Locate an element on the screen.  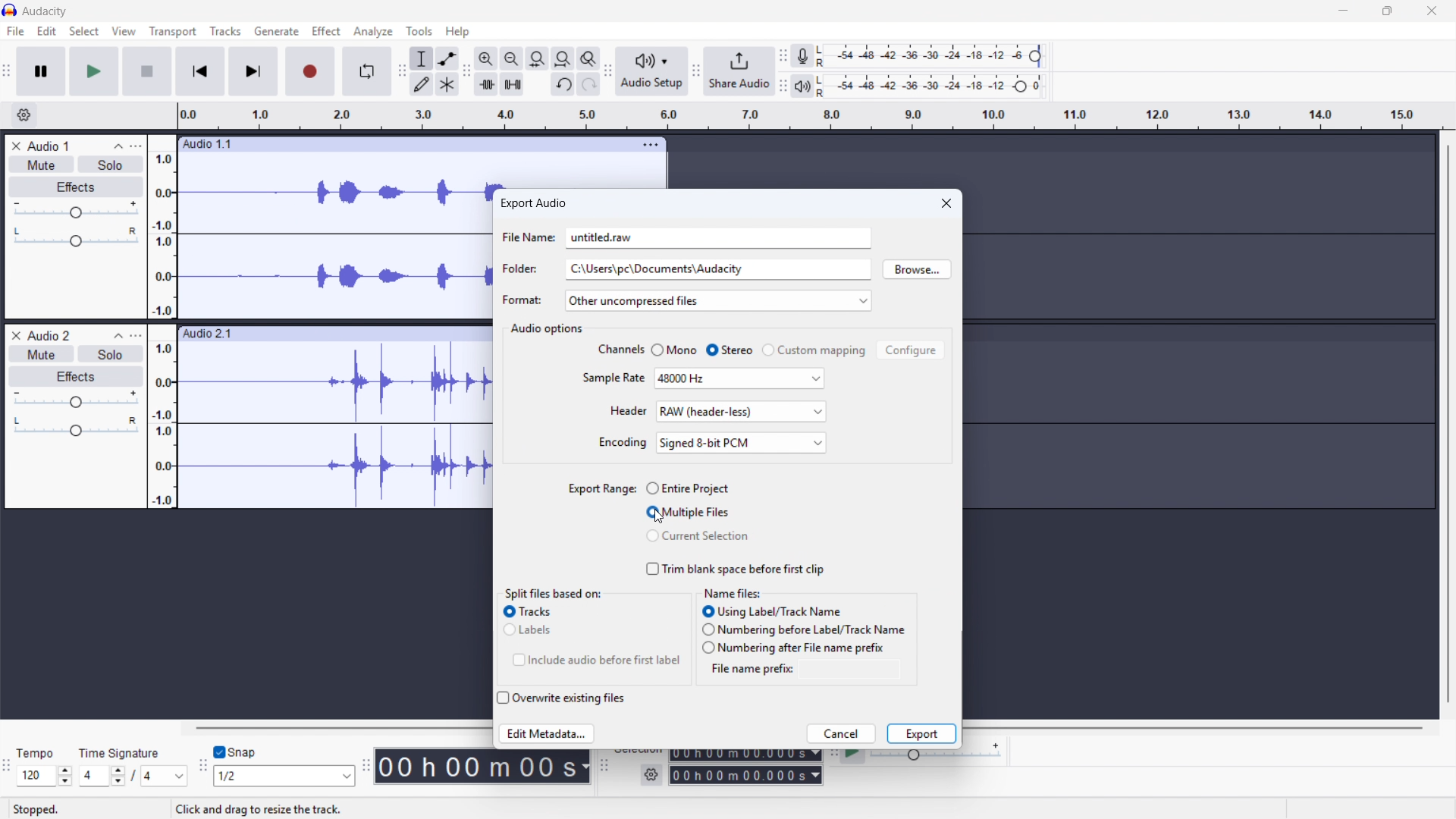
Toggle zoom  is located at coordinates (588, 58).